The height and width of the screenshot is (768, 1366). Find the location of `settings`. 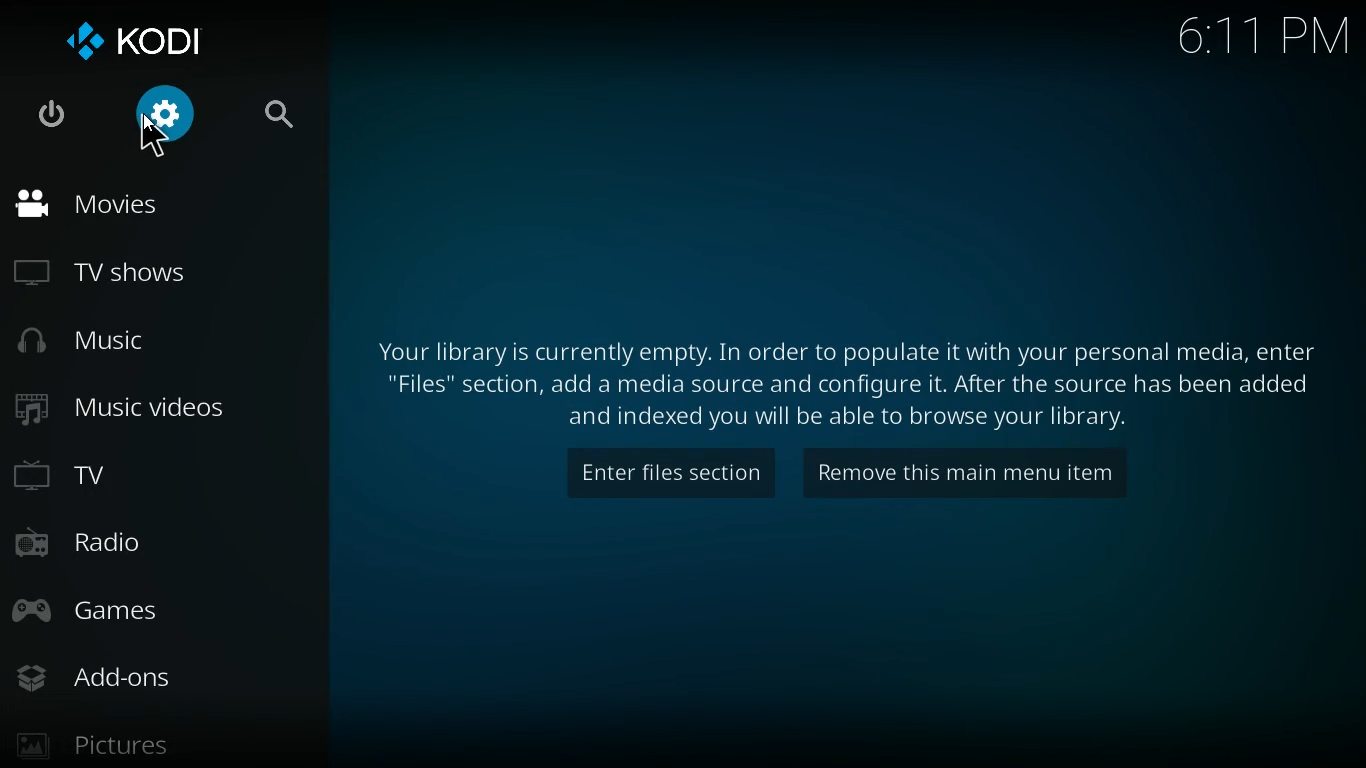

settings is located at coordinates (166, 117).